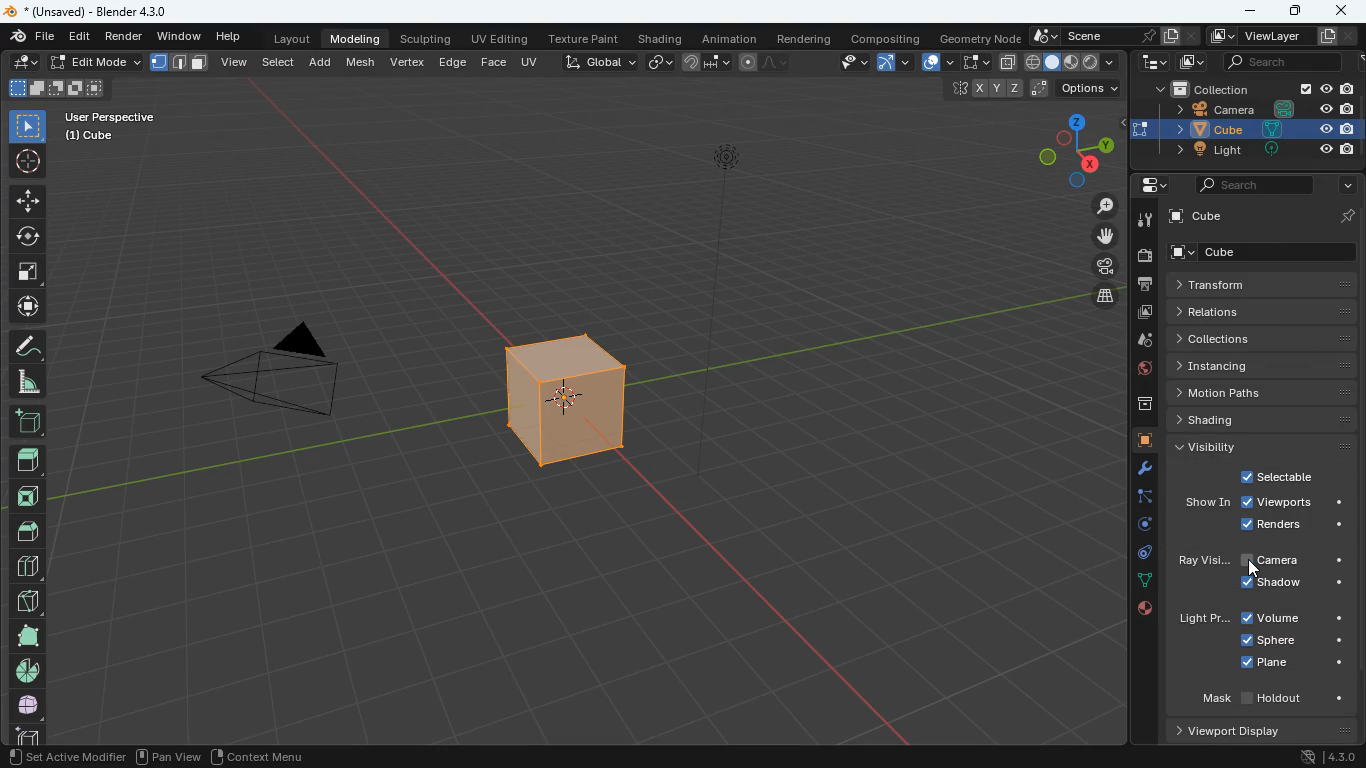 This screenshot has height=768, width=1366. Describe the element at coordinates (551, 404) in the screenshot. I see `cube` at that location.